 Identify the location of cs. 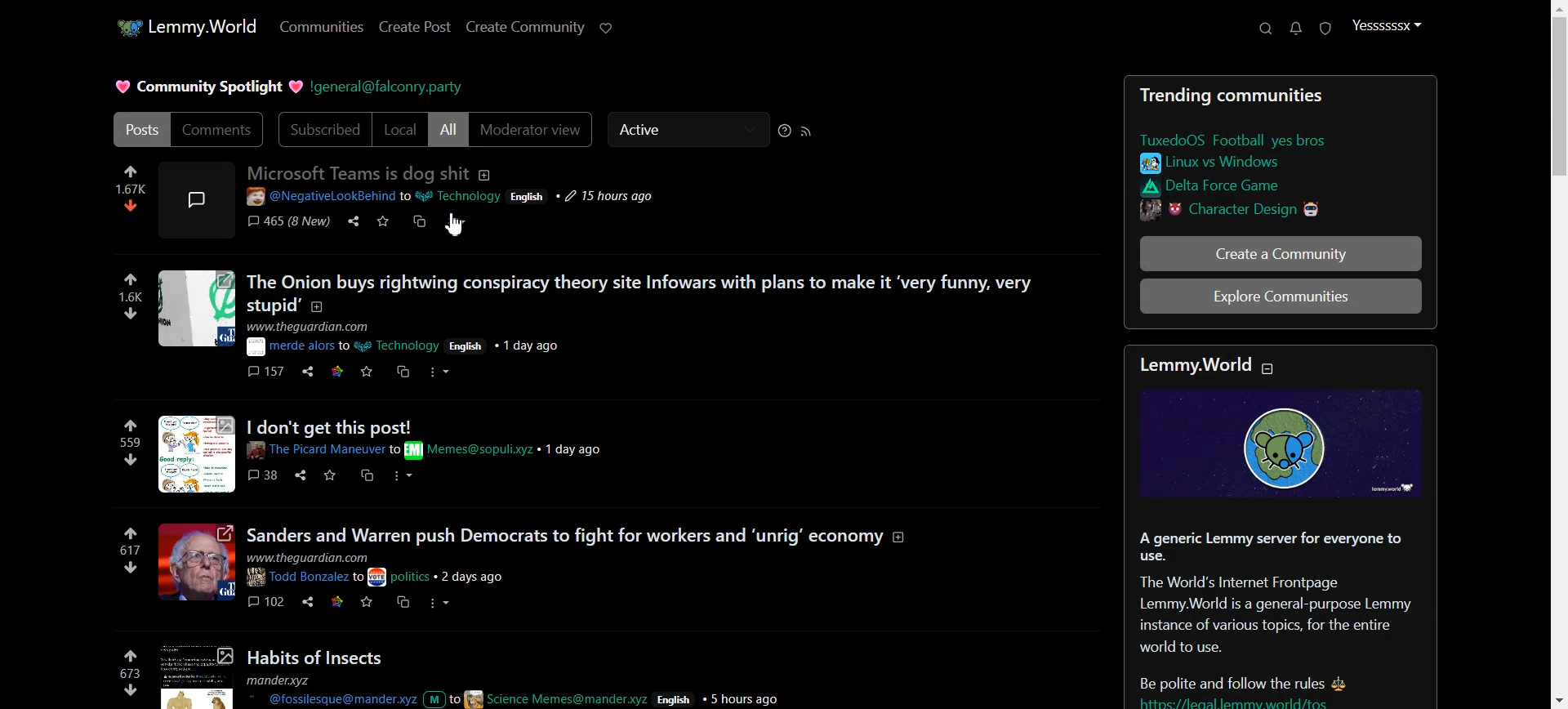
(402, 602).